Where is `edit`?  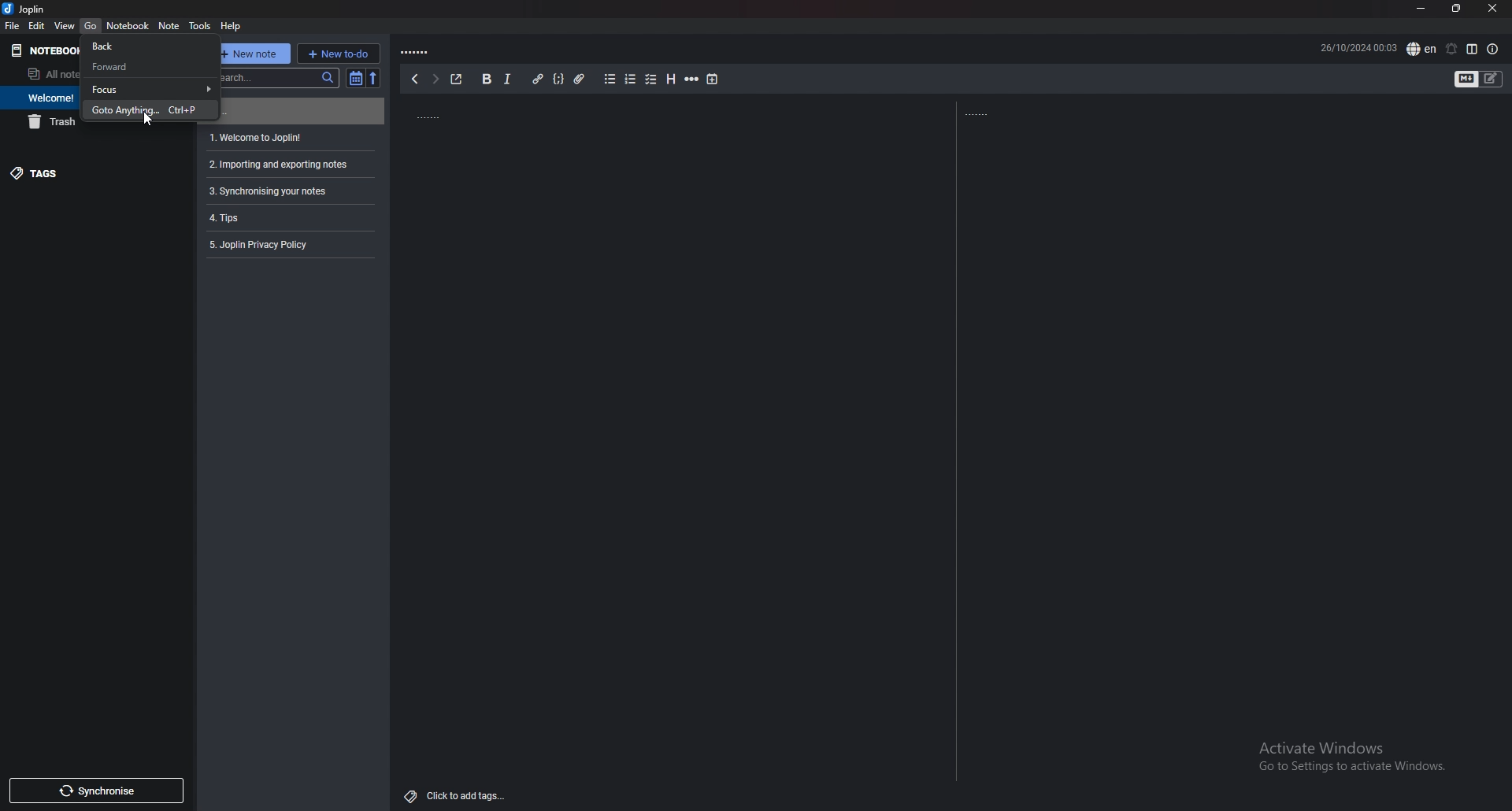
edit is located at coordinates (36, 24).